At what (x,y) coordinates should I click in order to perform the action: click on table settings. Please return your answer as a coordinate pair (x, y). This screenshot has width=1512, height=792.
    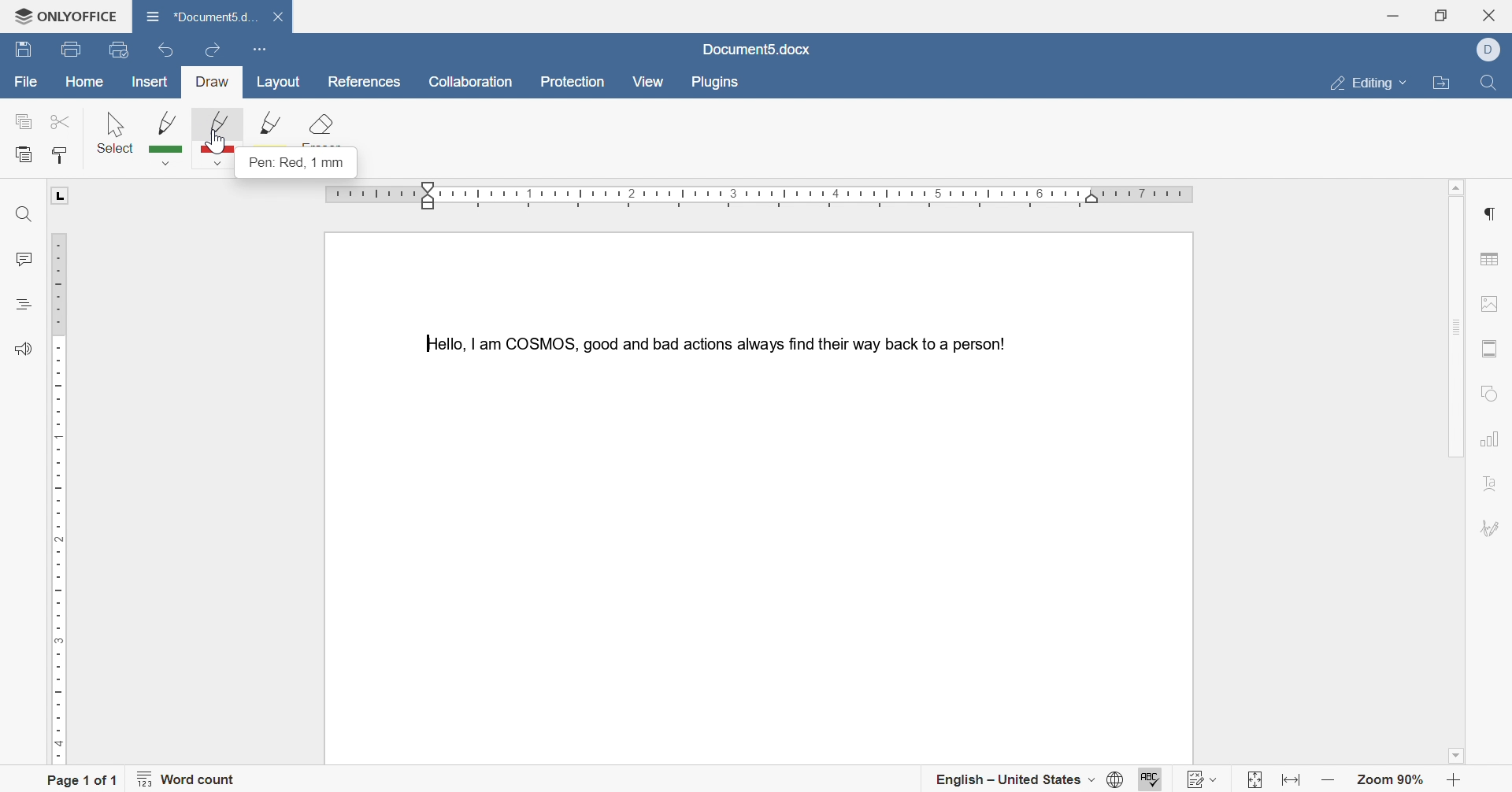
    Looking at the image, I should click on (1492, 261).